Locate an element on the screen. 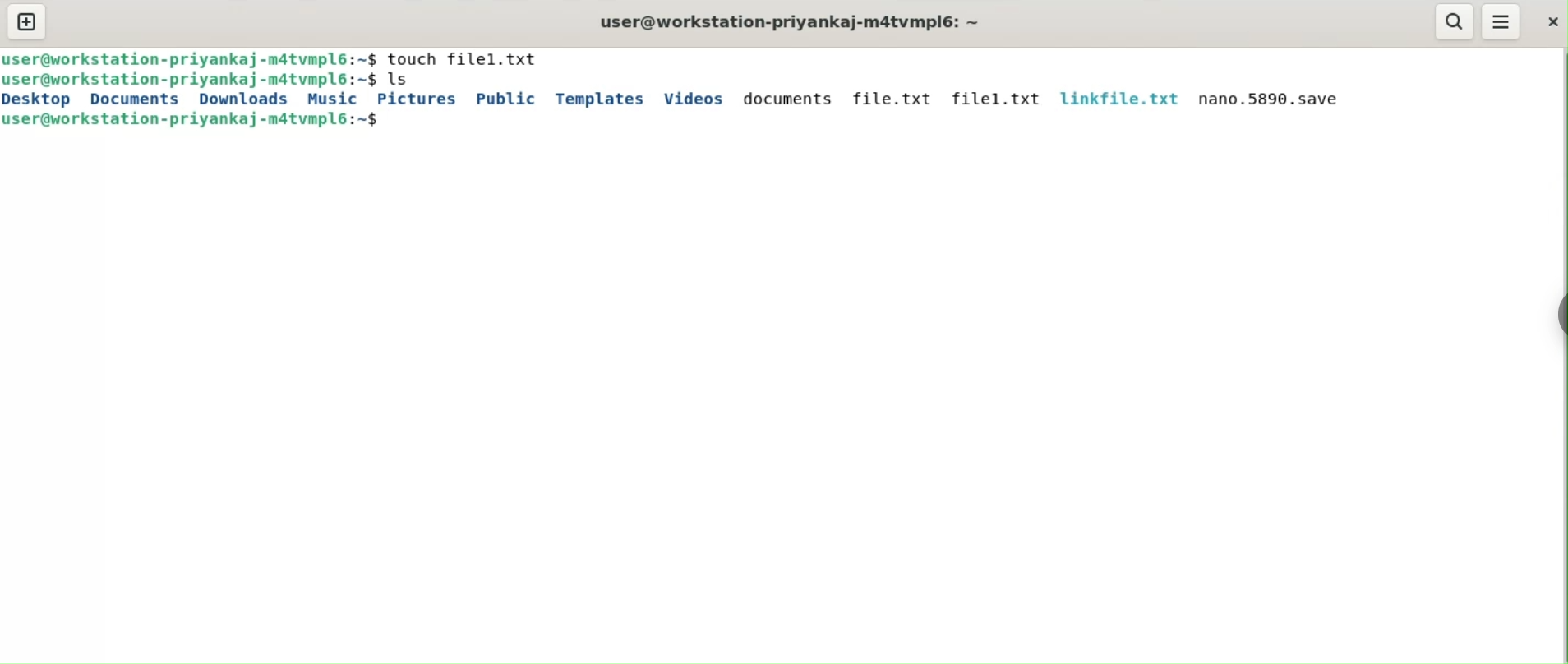 The height and width of the screenshot is (664, 1568). touch file1.txt is located at coordinates (464, 59).